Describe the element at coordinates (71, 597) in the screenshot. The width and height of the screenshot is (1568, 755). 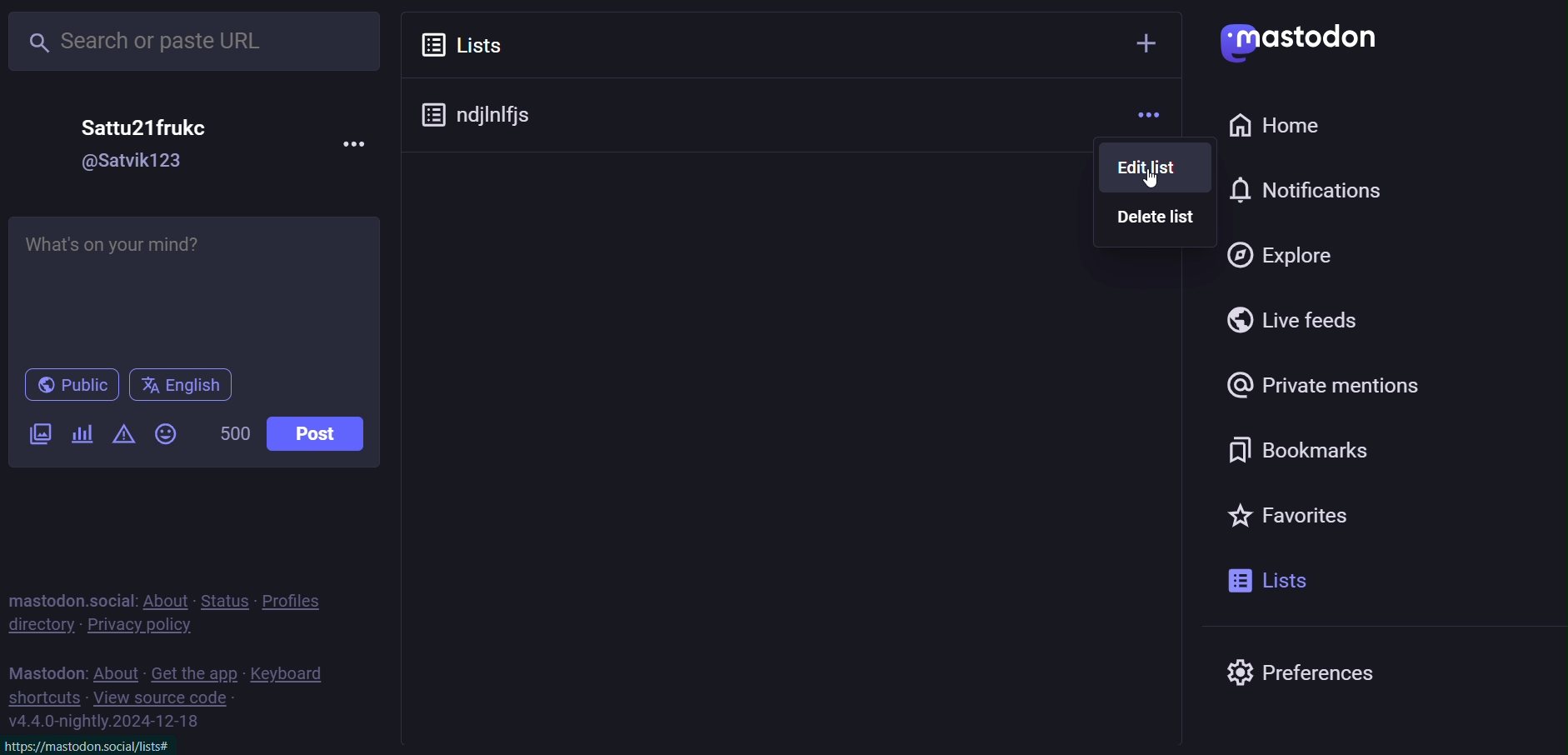
I see `mastodon social` at that location.